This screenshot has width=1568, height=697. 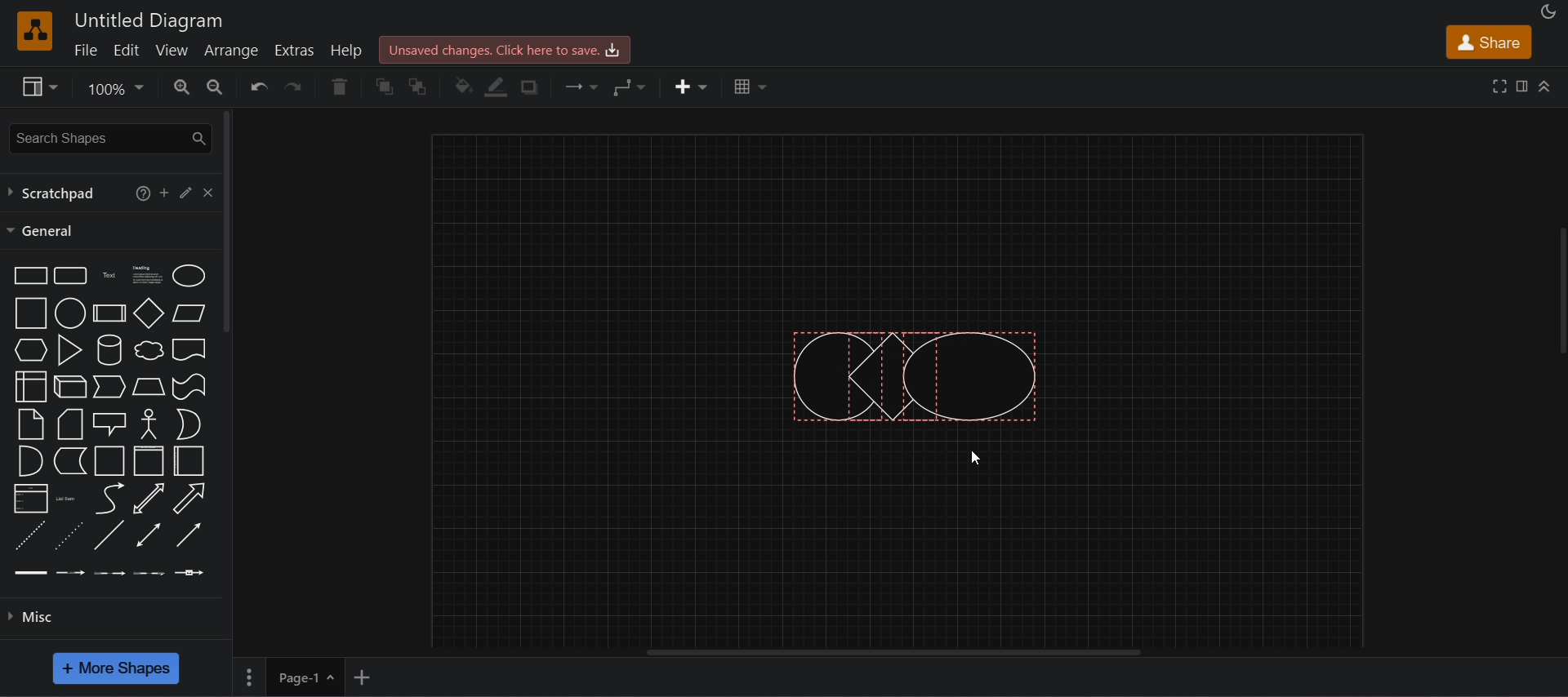 What do you see at coordinates (126, 49) in the screenshot?
I see `edit` at bounding box center [126, 49].